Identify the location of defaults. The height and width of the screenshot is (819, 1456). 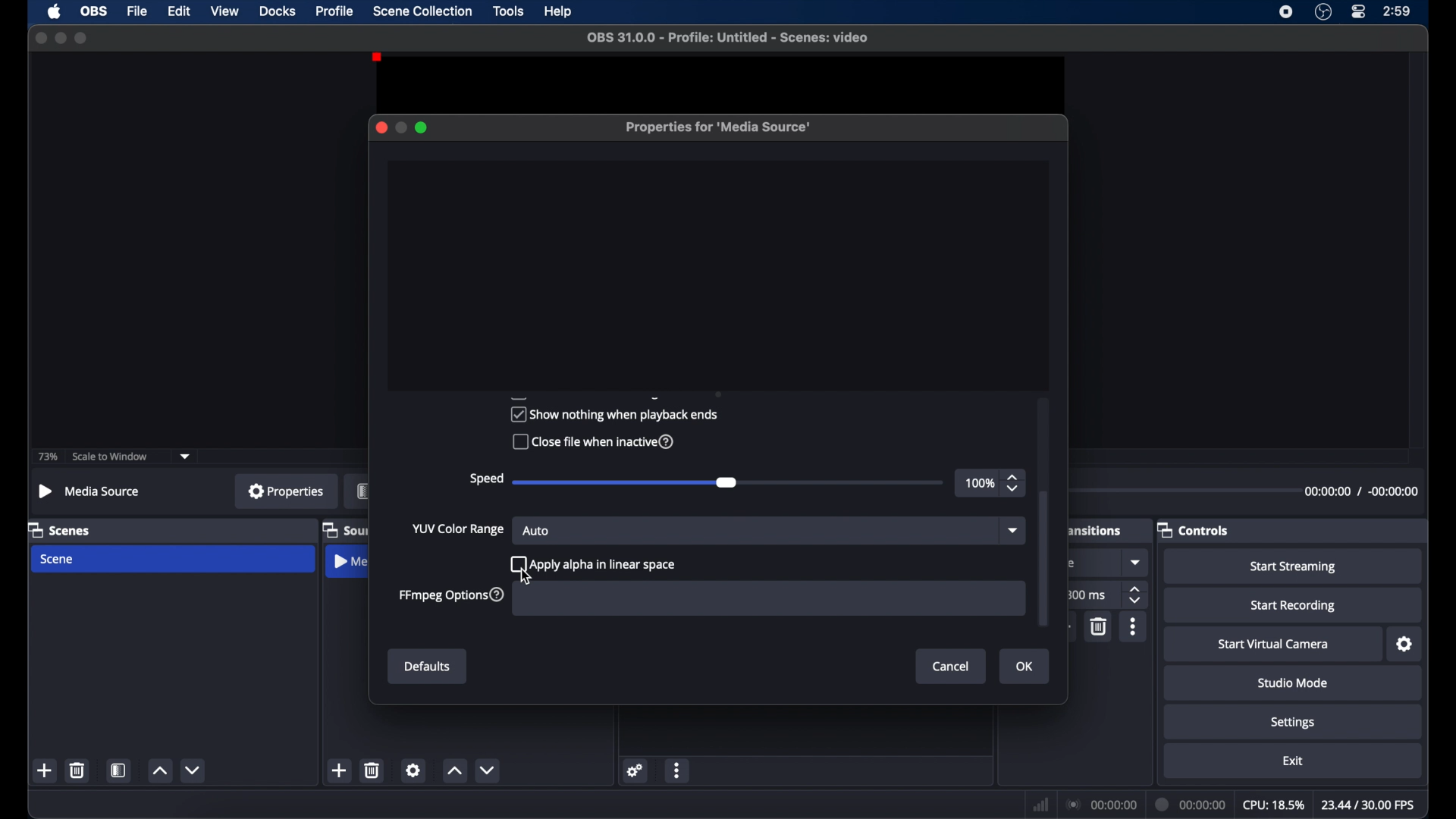
(428, 667).